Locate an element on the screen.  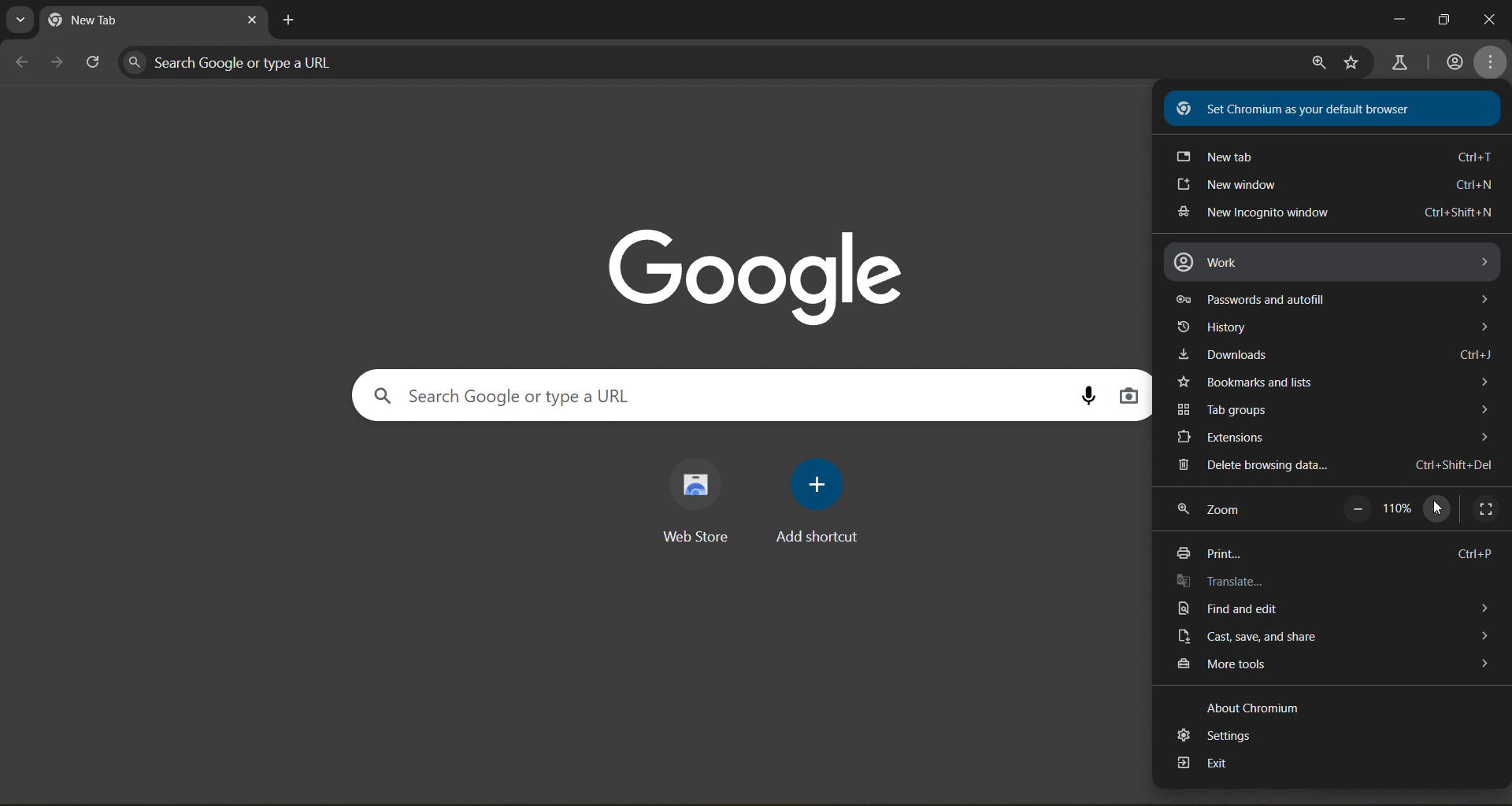
Google logo is located at coordinates (757, 272).